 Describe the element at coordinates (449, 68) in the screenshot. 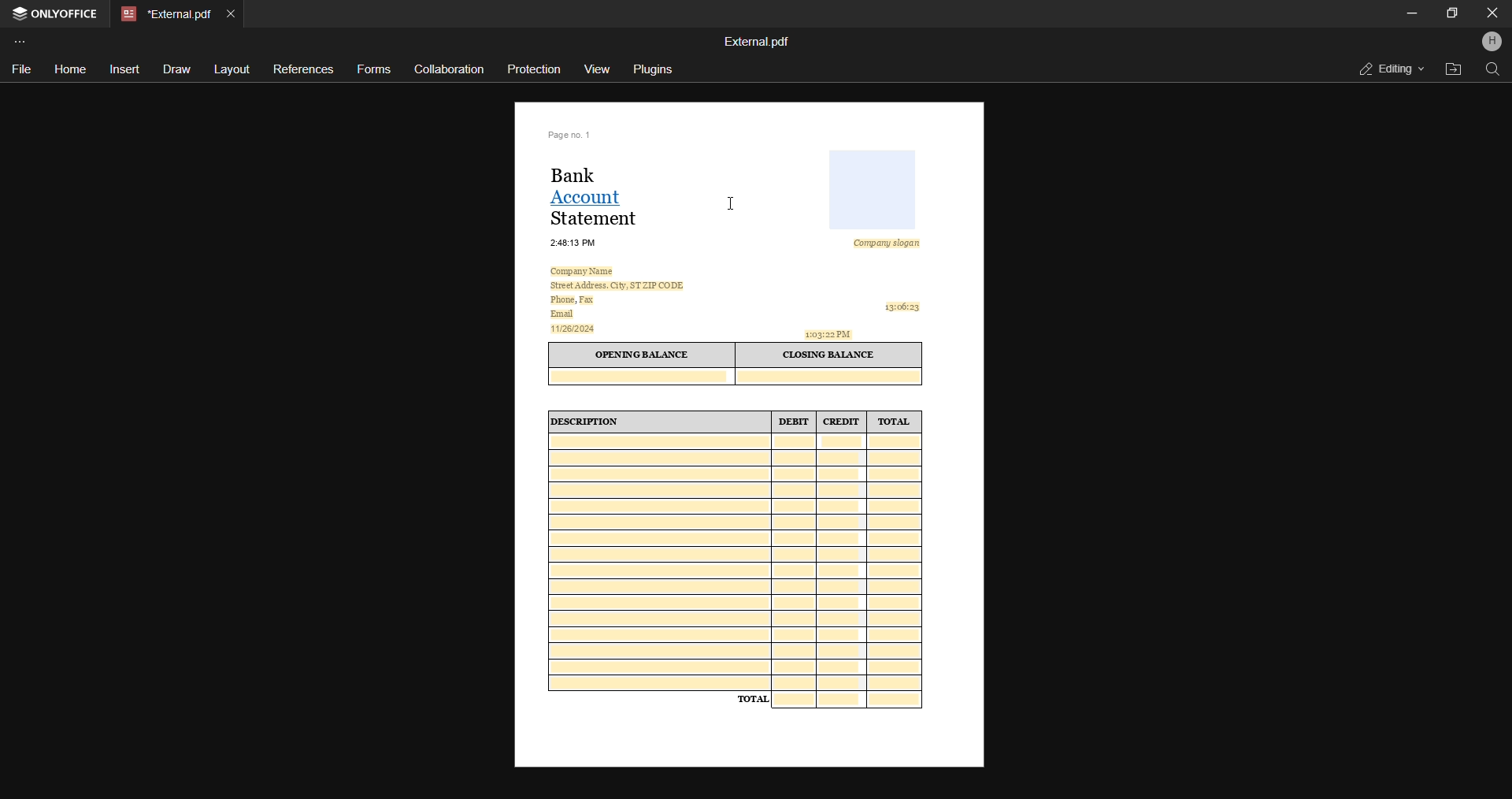

I see `collaboration` at that location.